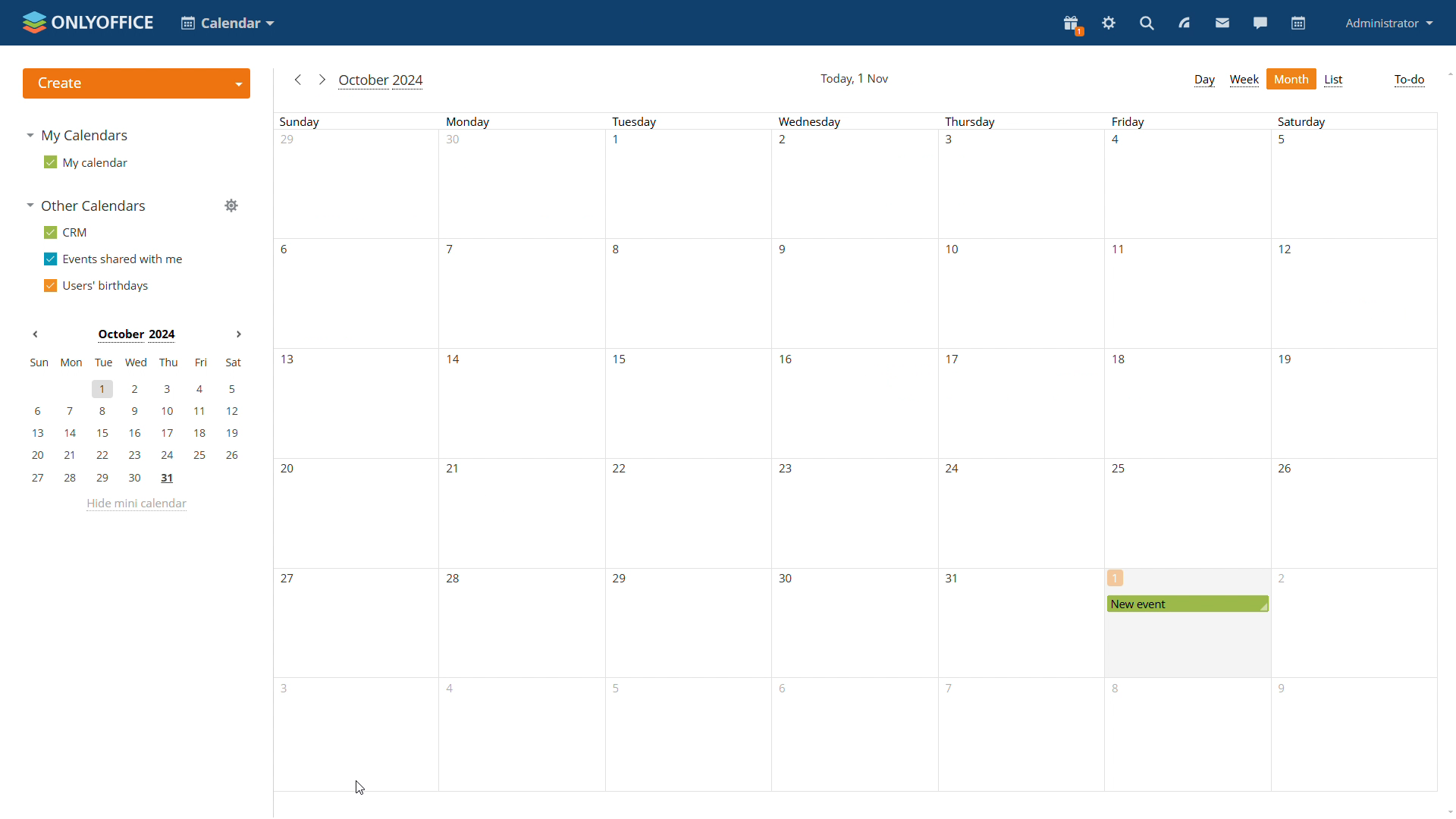 The width and height of the screenshot is (1456, 819). Describe the element at coordinates (384, 82) in the screenshot. I see `month in view` at that location.